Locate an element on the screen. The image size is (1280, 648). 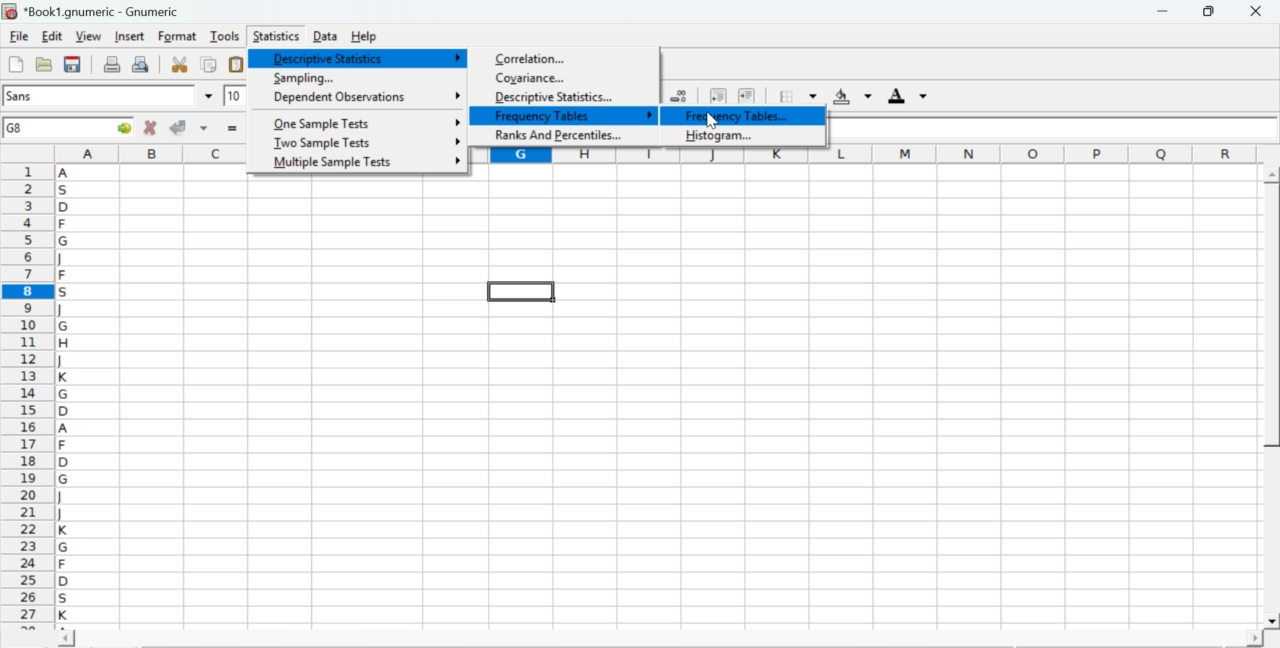
statistics is located at coordinates (274, 36).